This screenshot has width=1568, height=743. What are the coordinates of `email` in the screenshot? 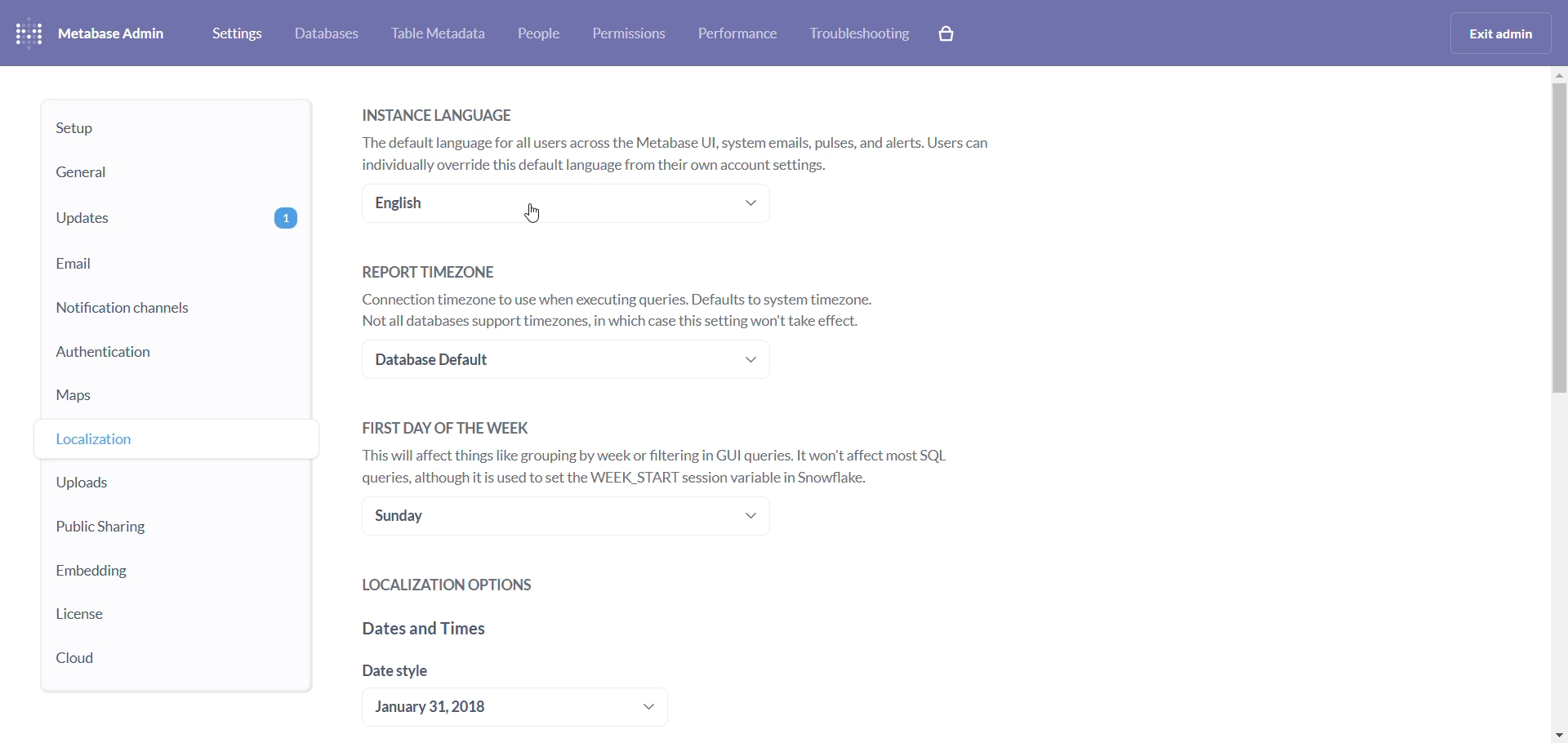 It's located at (173, 264).